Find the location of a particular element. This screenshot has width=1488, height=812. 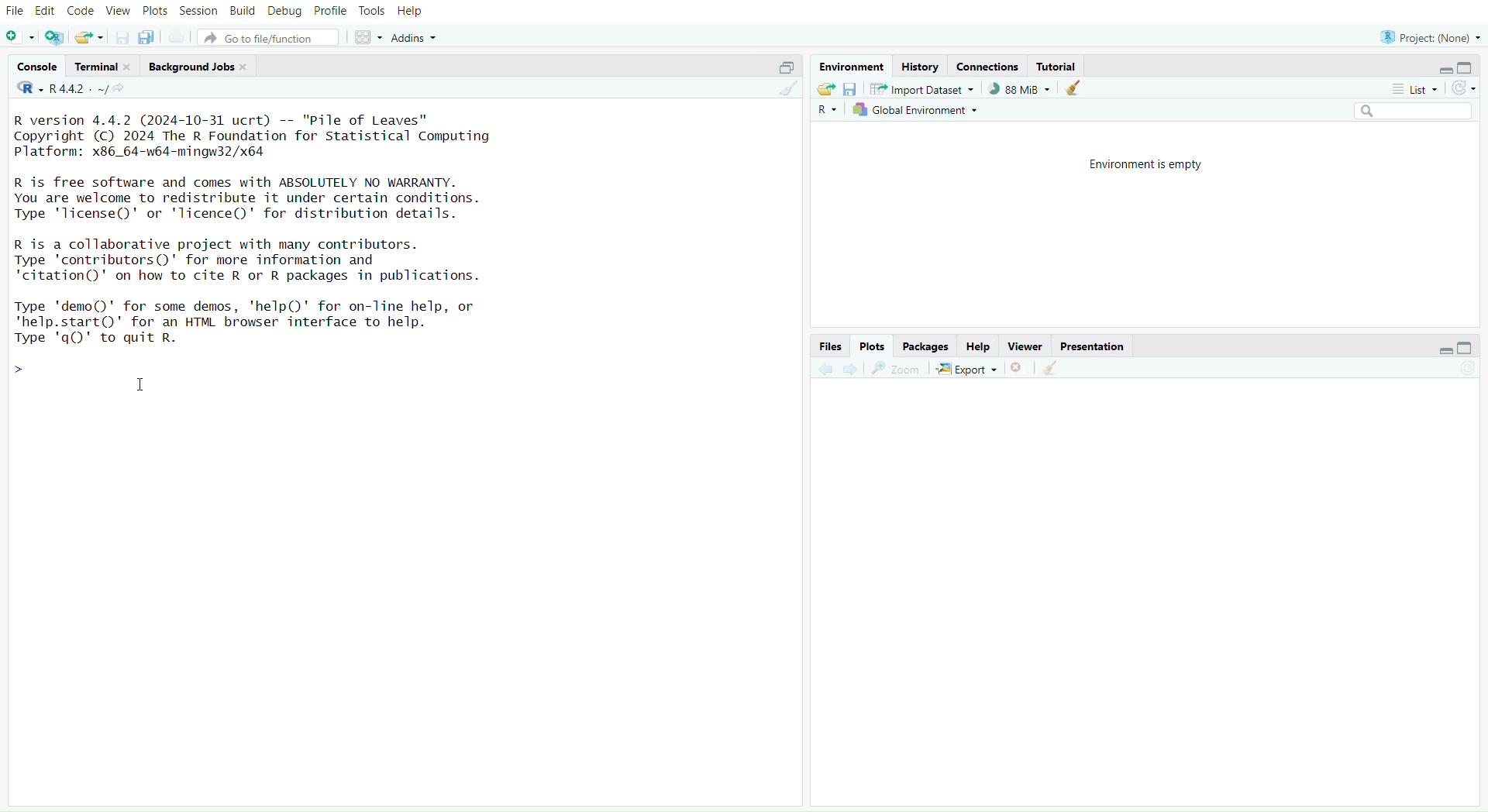

help is located at coordinates (979, 347).